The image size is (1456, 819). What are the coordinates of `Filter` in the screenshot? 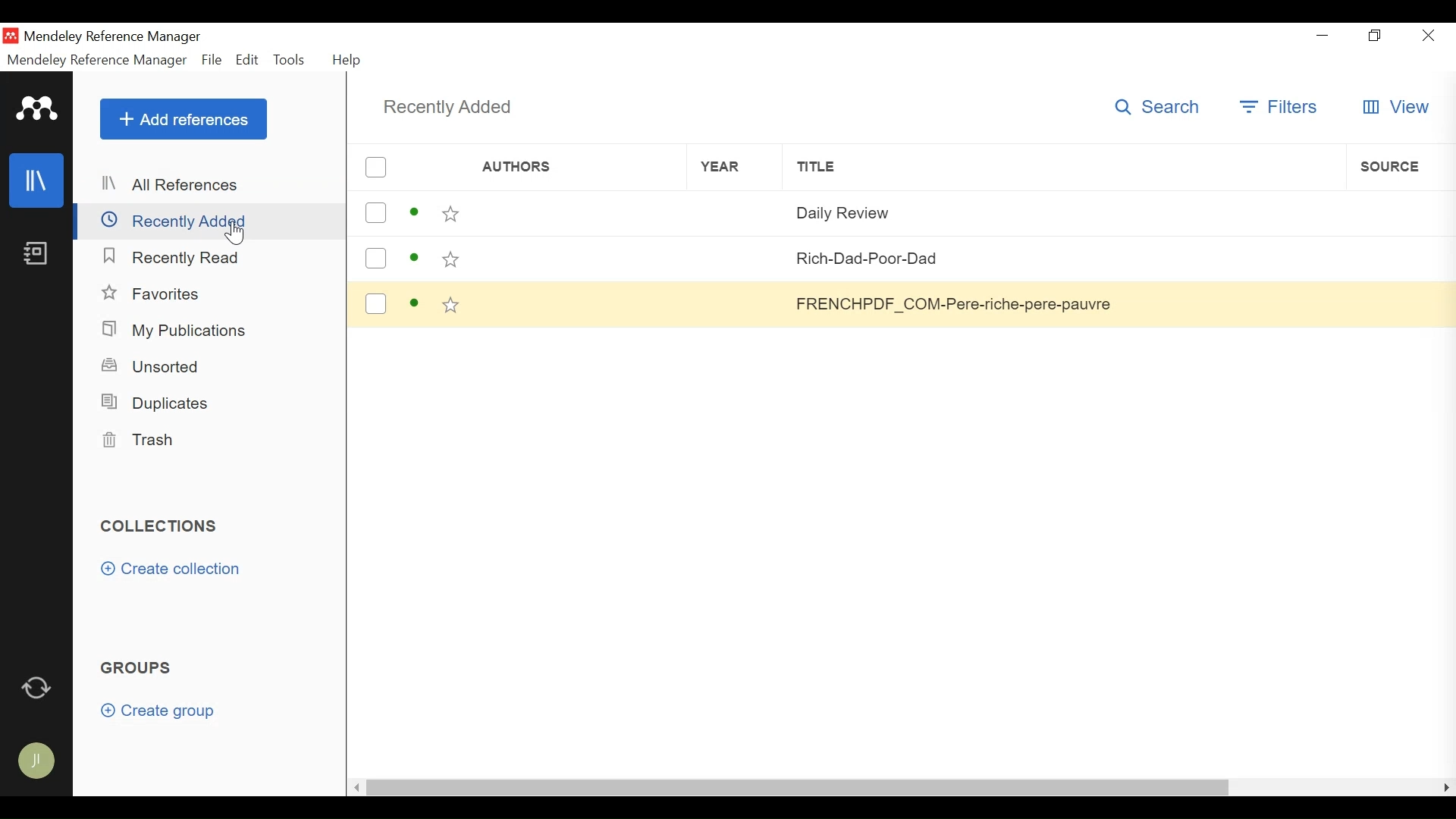 It's located at (1278, 108).